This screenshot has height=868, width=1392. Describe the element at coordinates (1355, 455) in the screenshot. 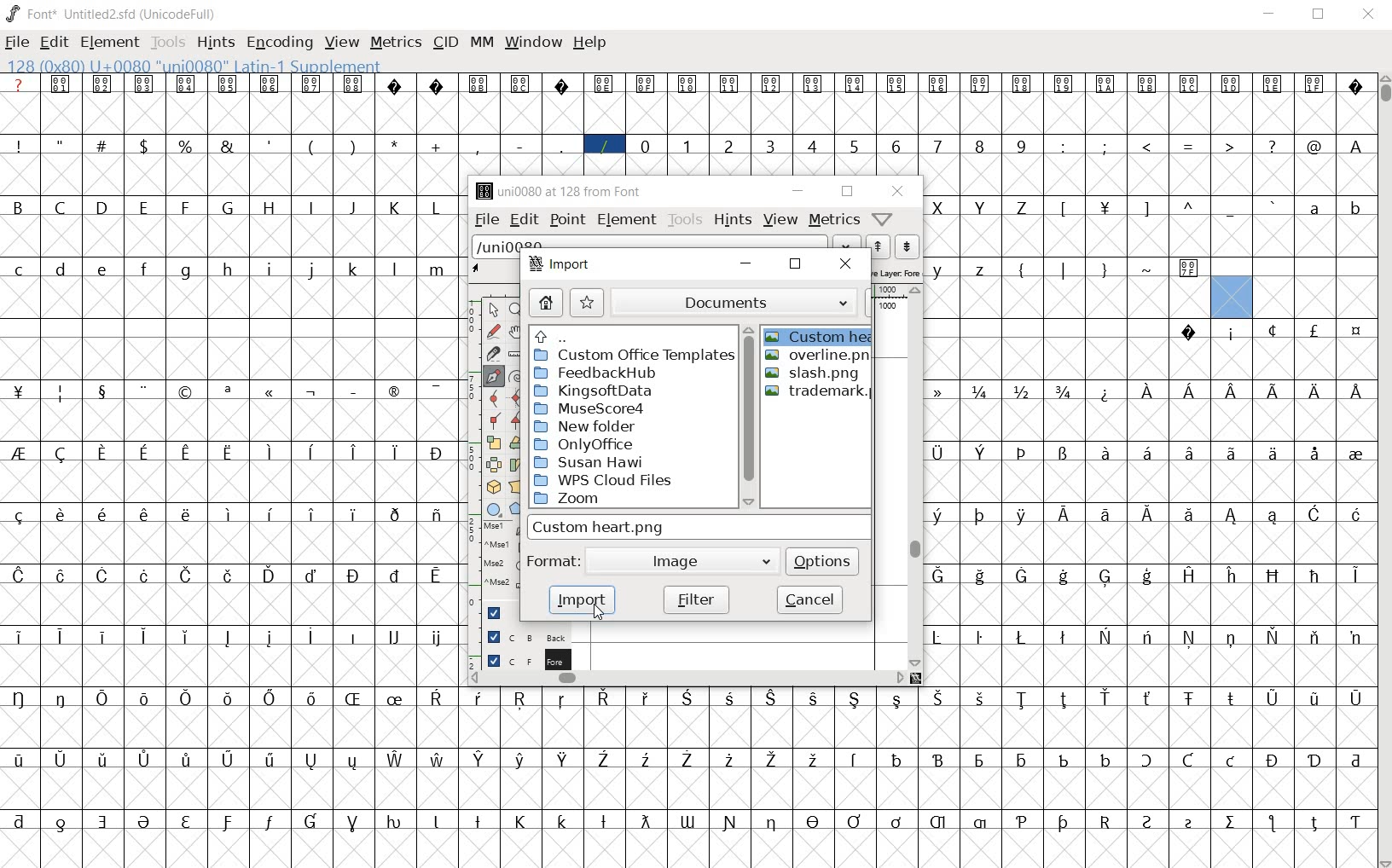

I see `glyph` at that location.